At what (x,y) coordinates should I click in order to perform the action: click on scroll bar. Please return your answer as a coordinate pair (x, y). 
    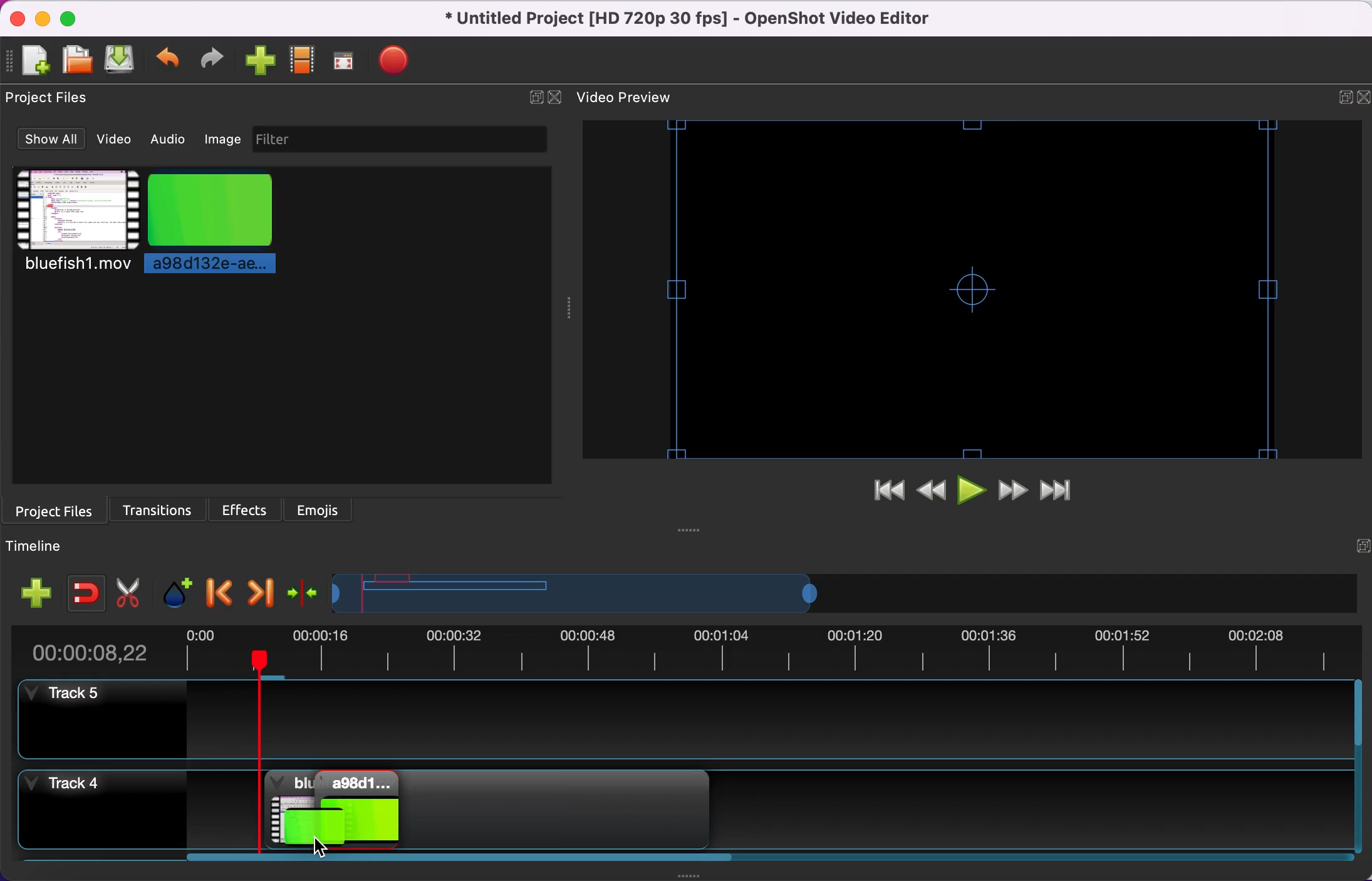
    Looking at the image, I should click on (463, 861).